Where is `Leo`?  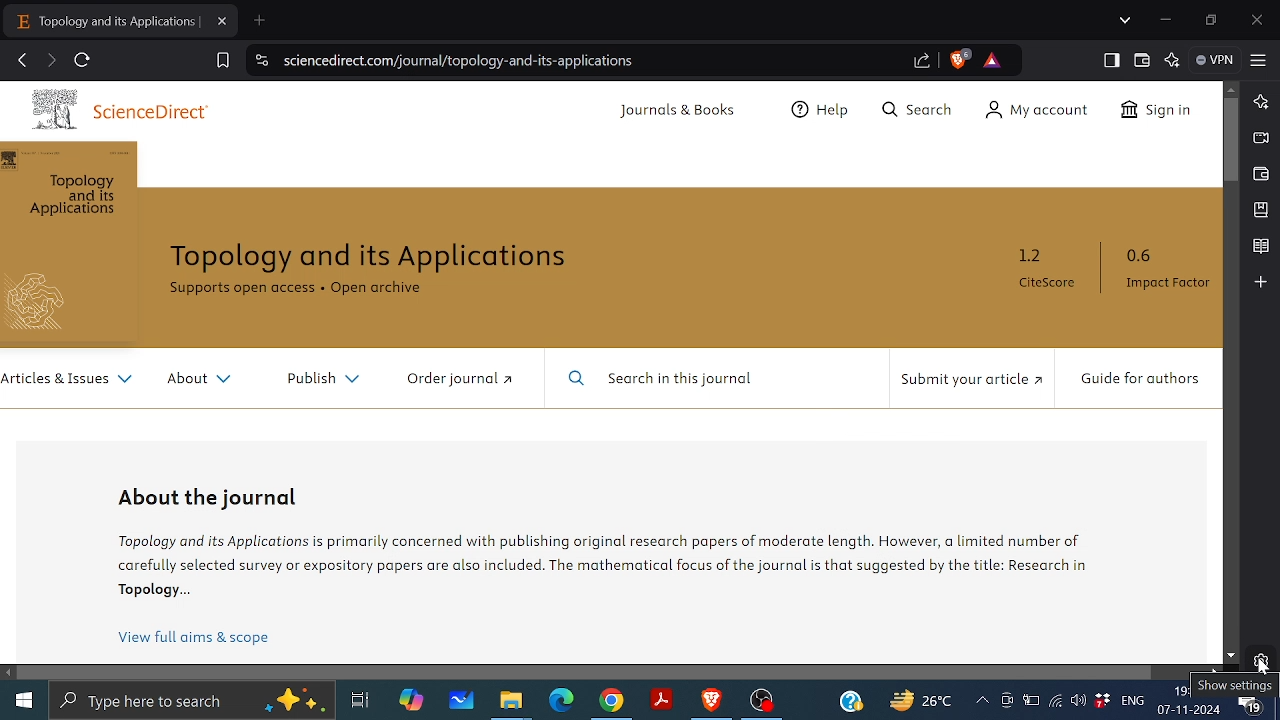
Leo is located at coordinates (1260, 101).